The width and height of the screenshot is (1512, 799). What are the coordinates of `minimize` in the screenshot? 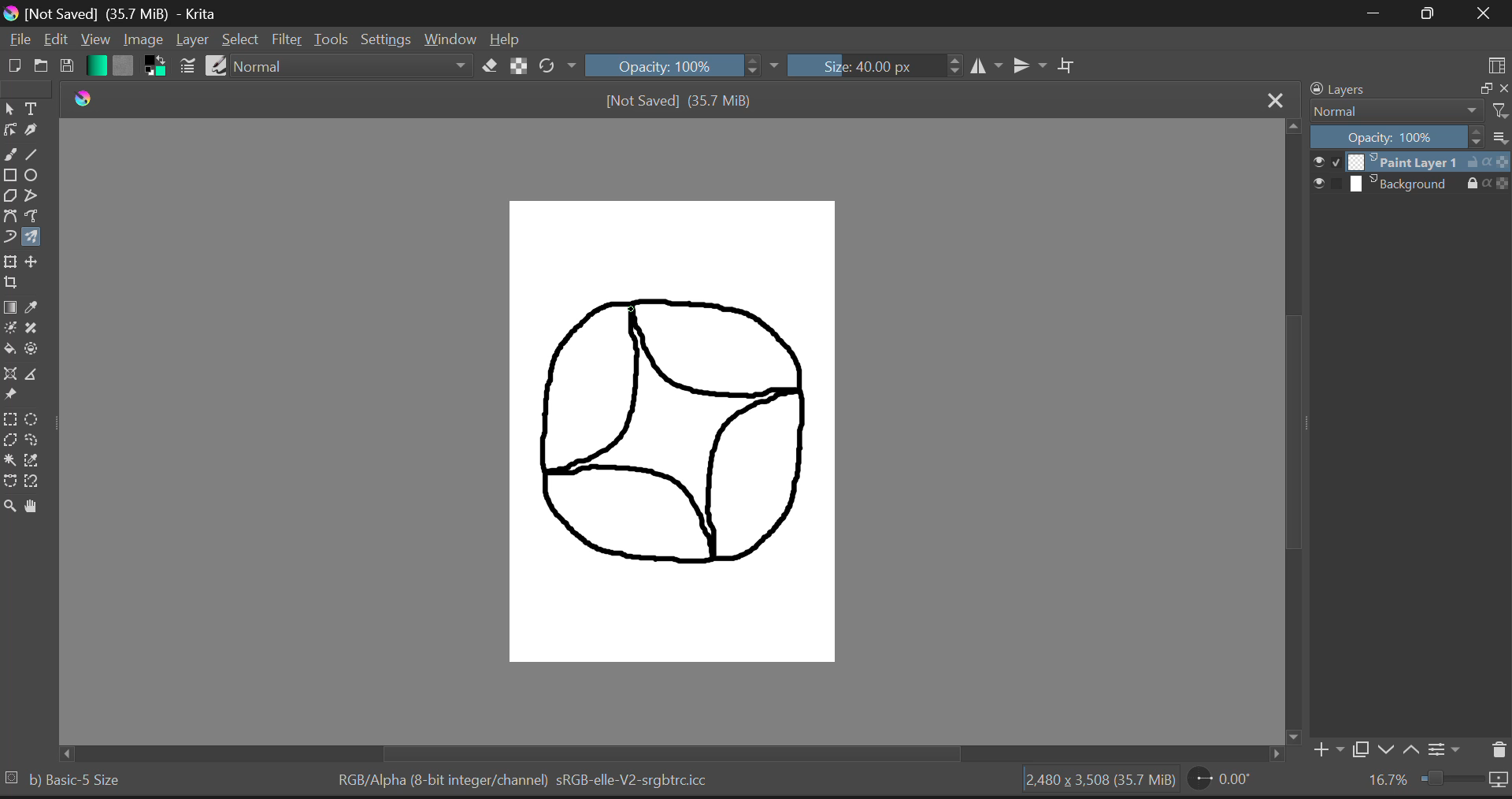 It's located at (1484, 87).